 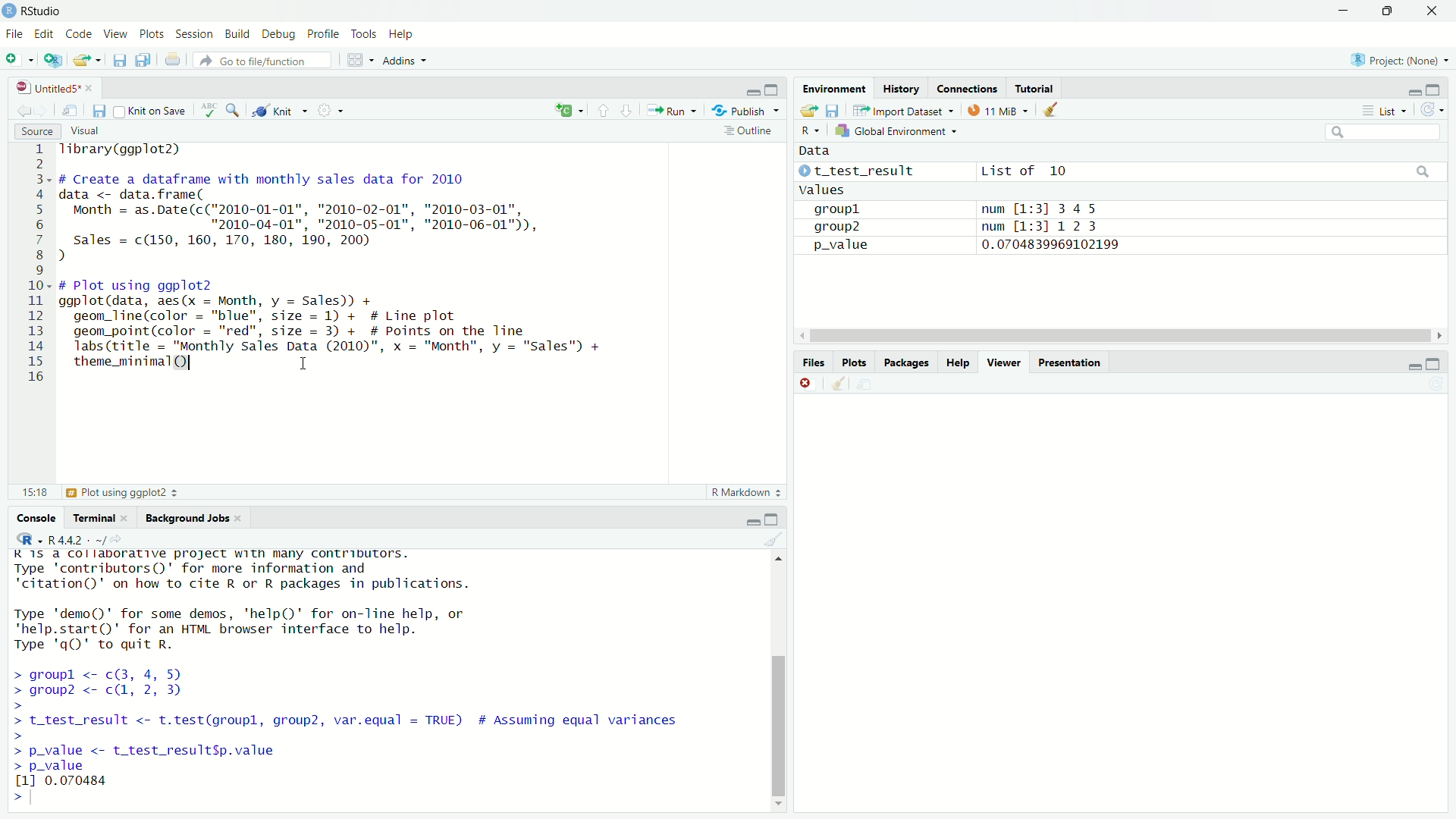 I want to click on cursor, so click(x=302, y=364).